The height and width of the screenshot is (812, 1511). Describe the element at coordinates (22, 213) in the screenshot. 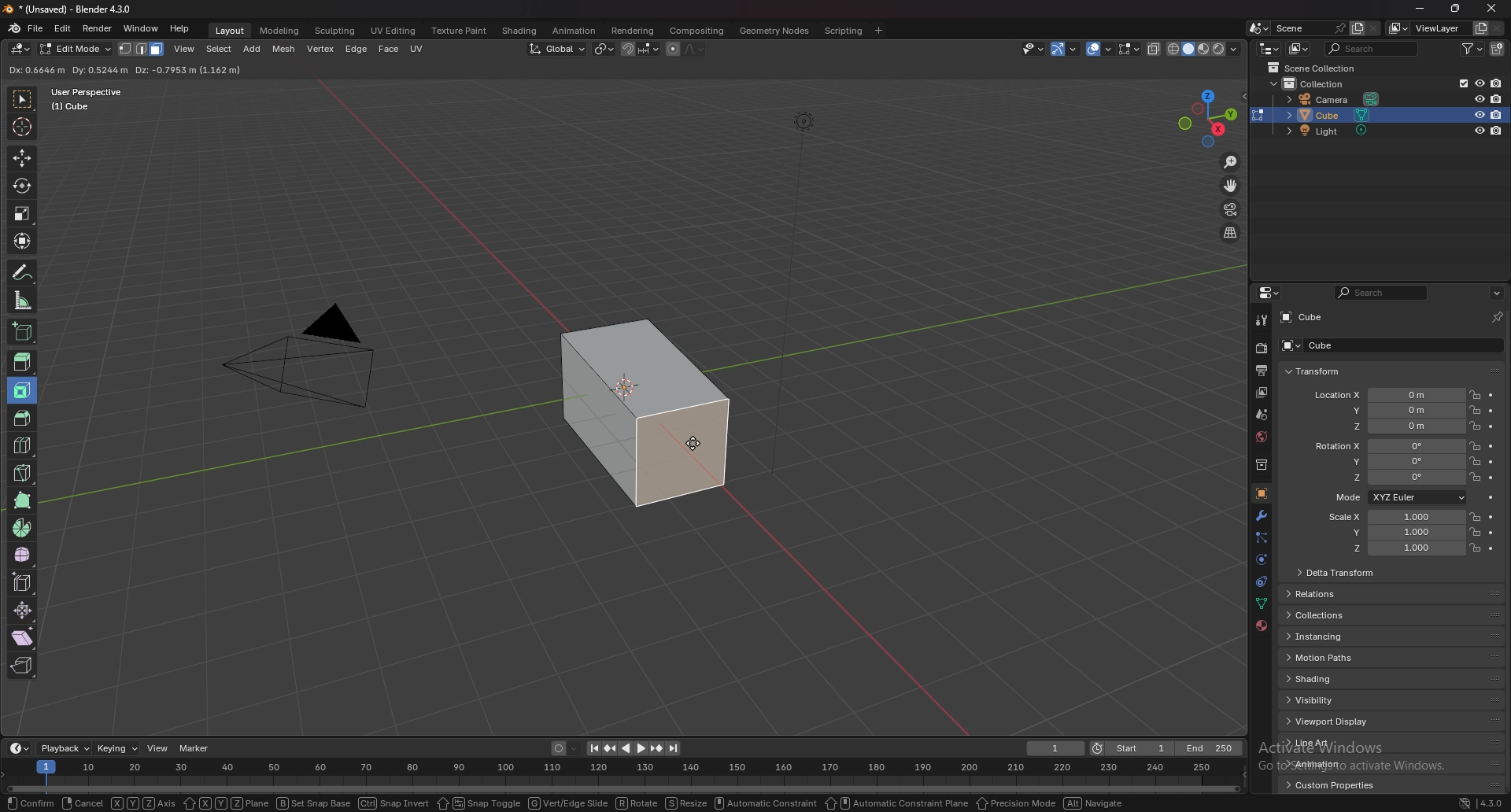

I see `scale` at that location.